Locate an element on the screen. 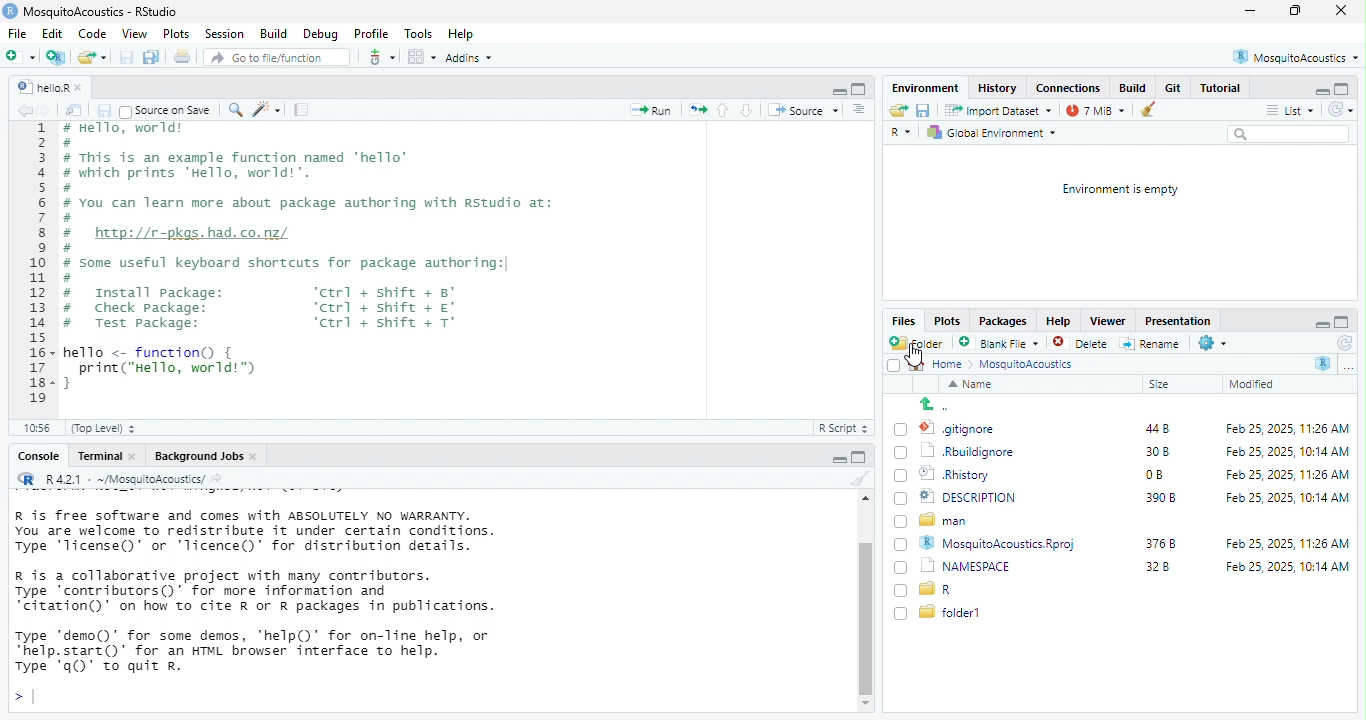  Viewer is located at coordinates (1107, 319).